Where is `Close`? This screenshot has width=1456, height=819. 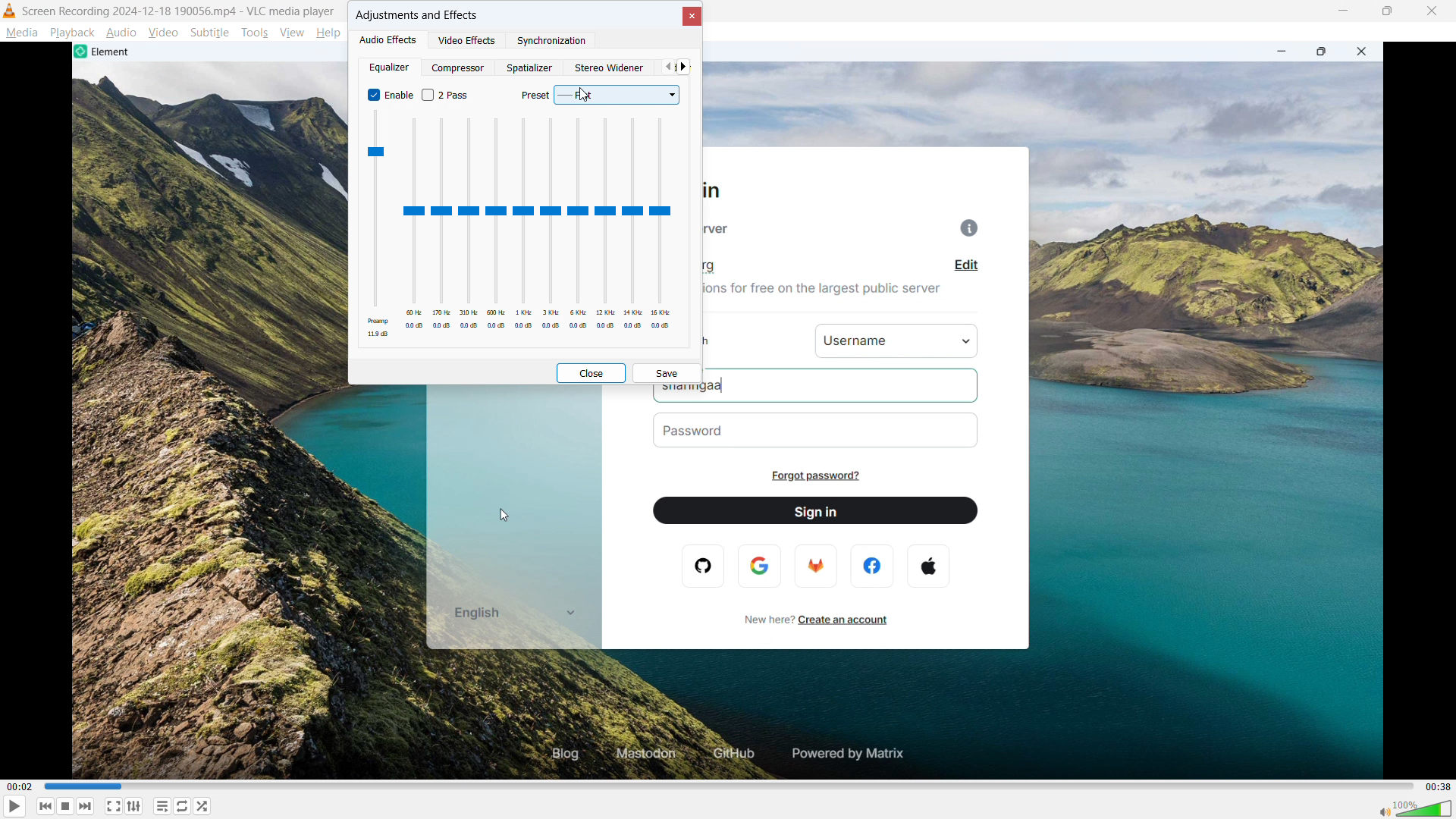 Close is located at coordinates (590, 372).